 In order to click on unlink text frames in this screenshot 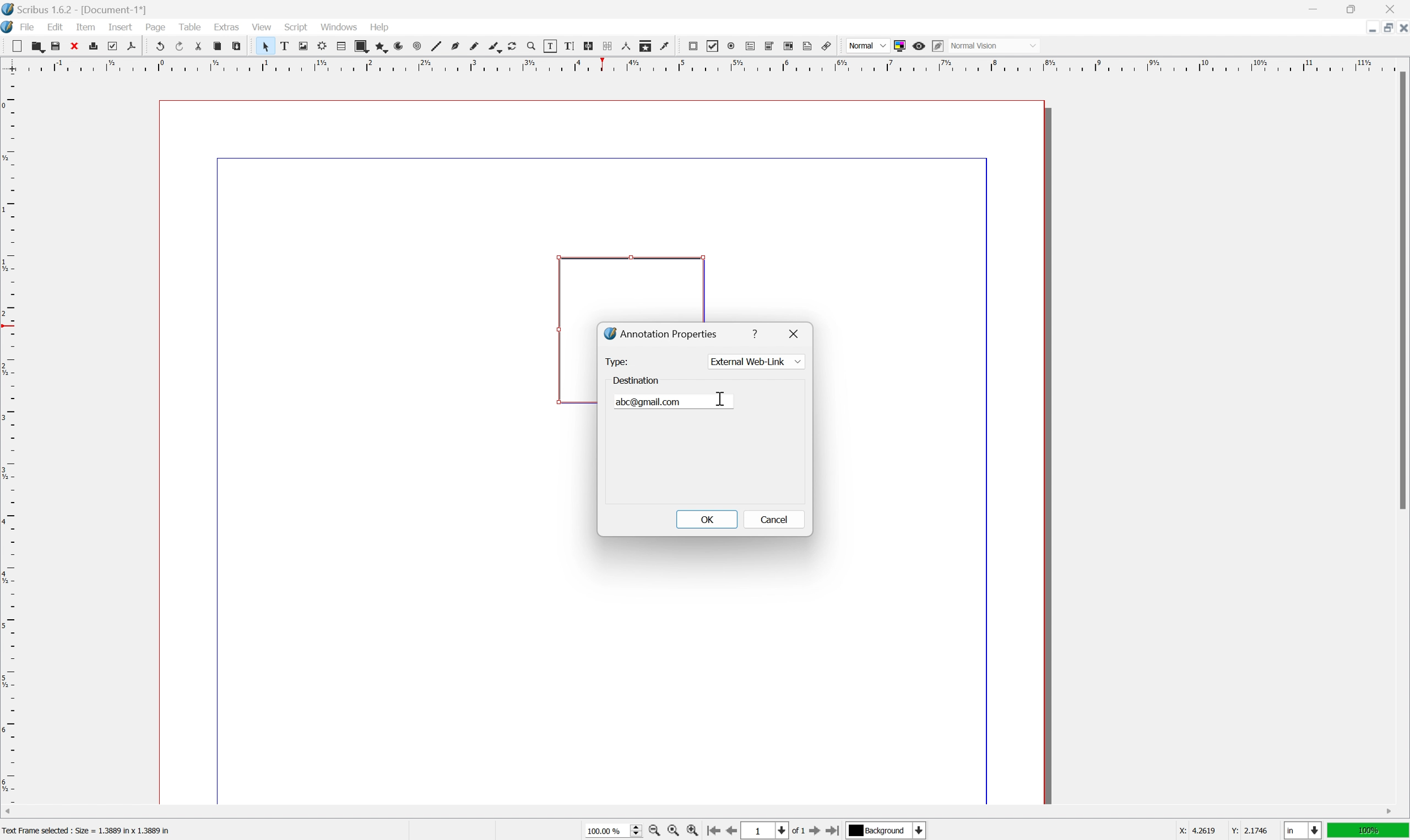, I will do `click(608, 46)`.